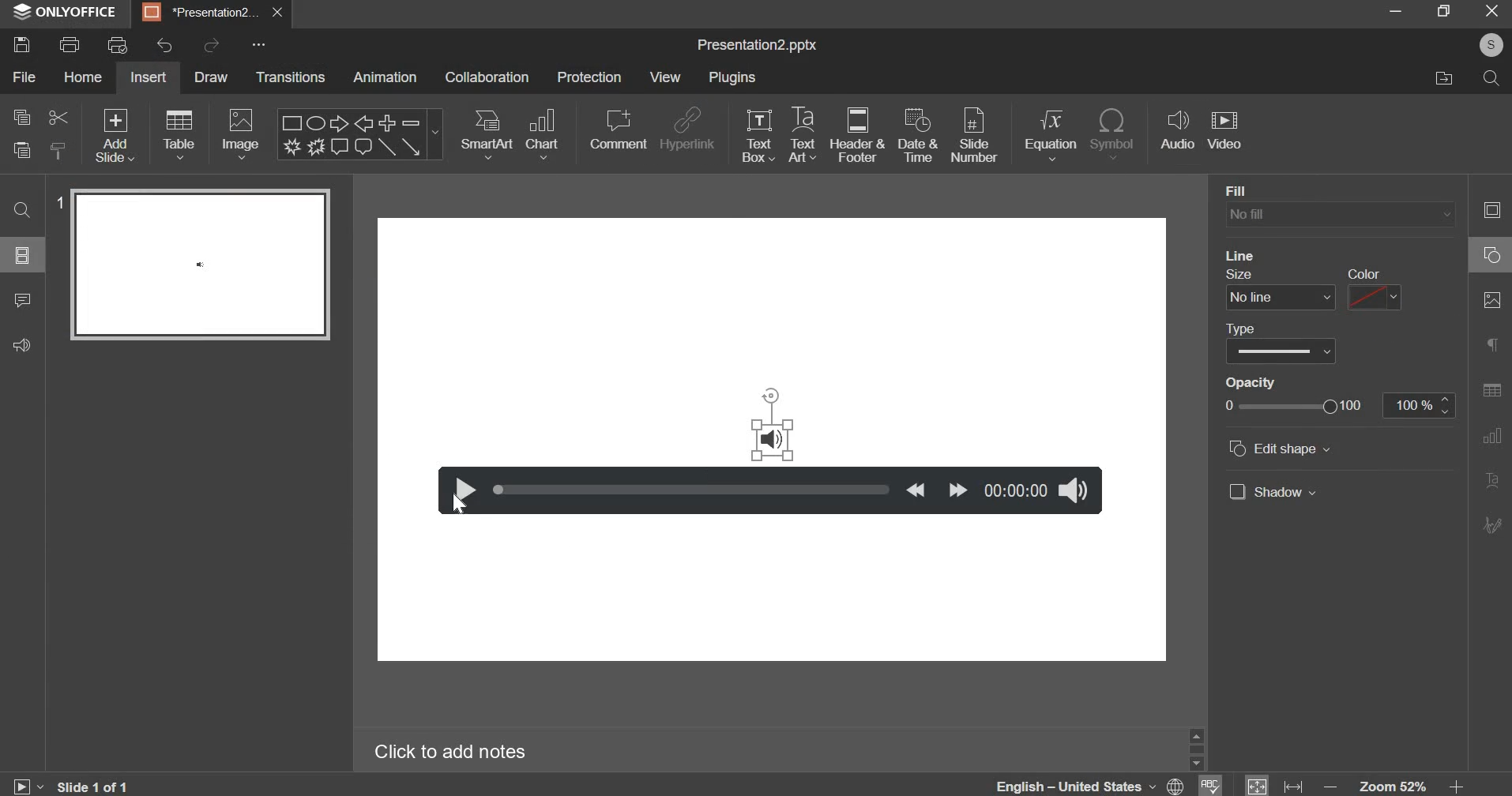  What do you see at coordinates (1491, 45) in the screenshot?
I see `account holder` at bounding box center [1491, 45].